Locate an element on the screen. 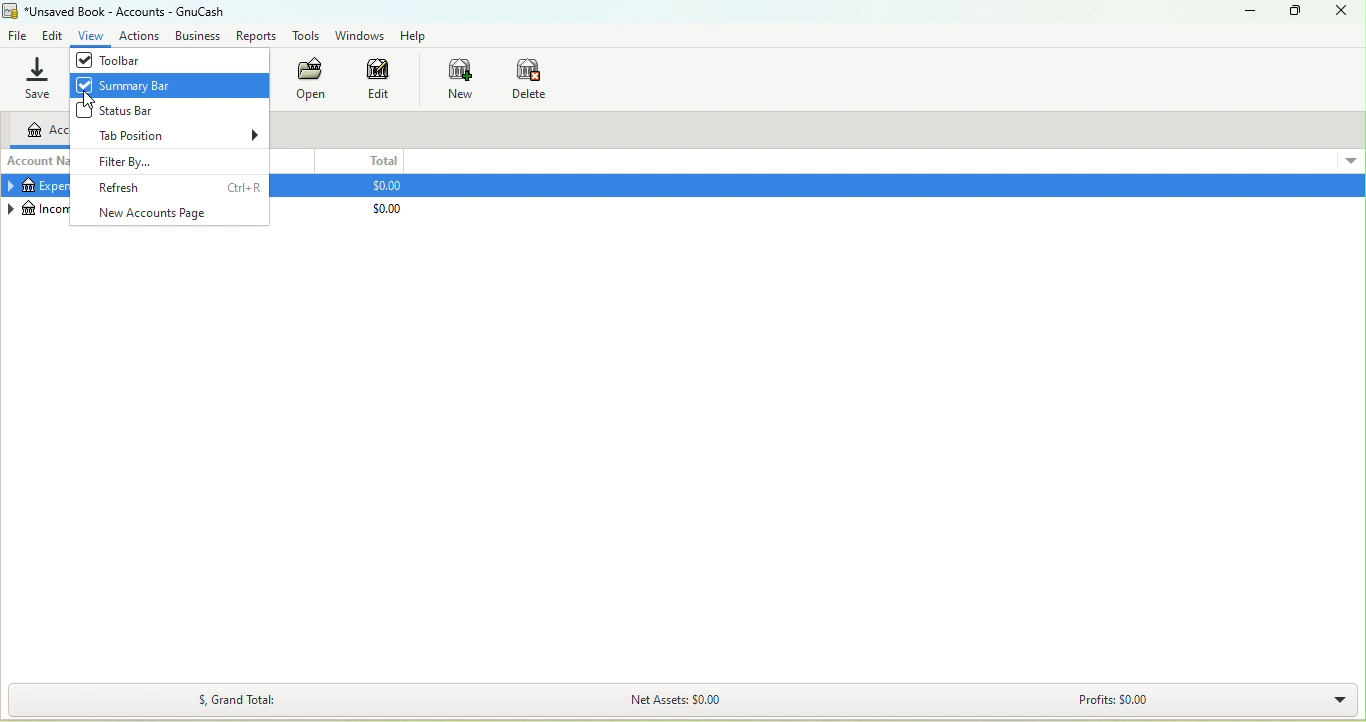  Toolbar is located at coordinates (169, 60).